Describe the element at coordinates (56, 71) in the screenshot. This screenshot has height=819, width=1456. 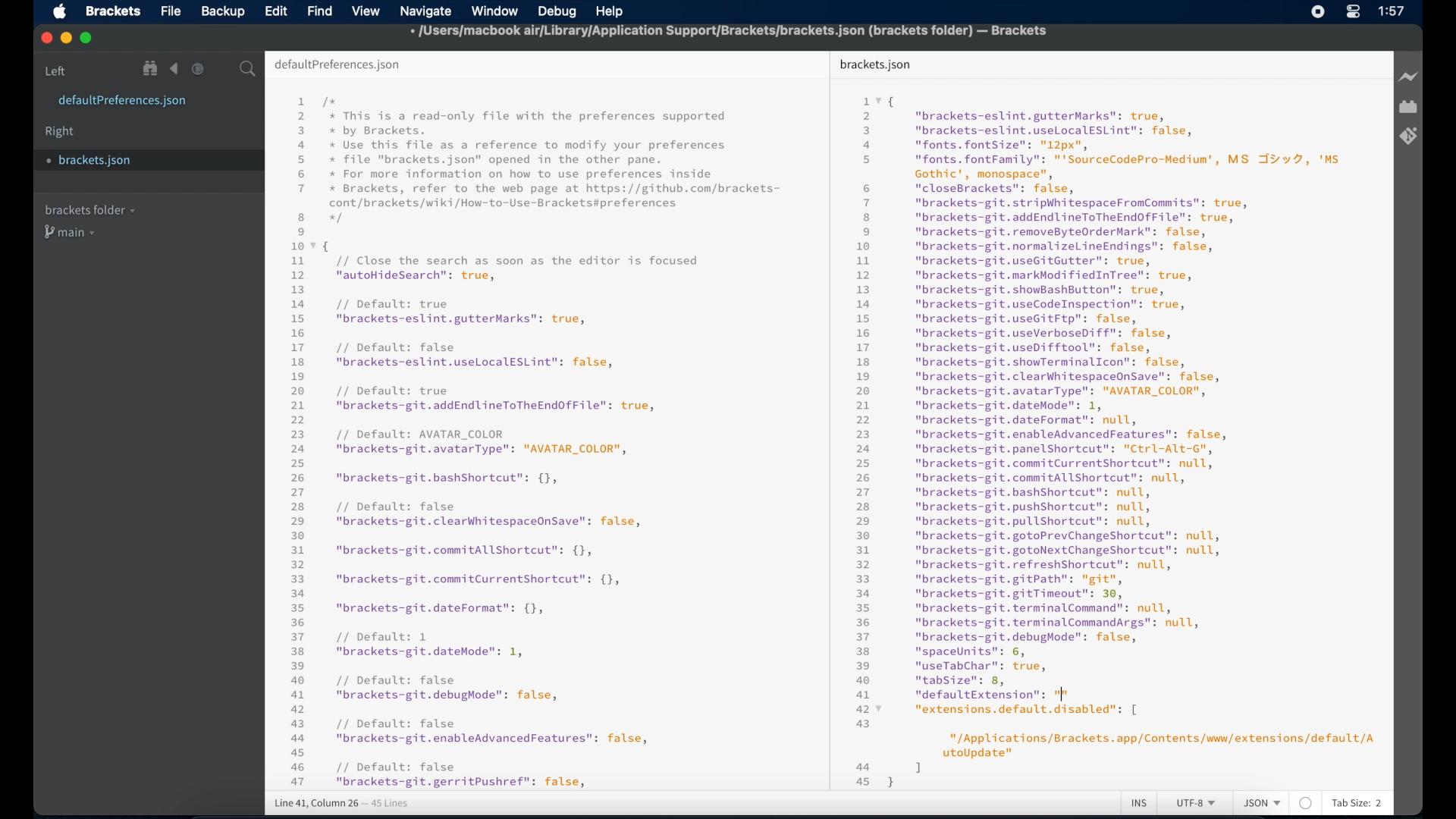
I see `left` at that location.